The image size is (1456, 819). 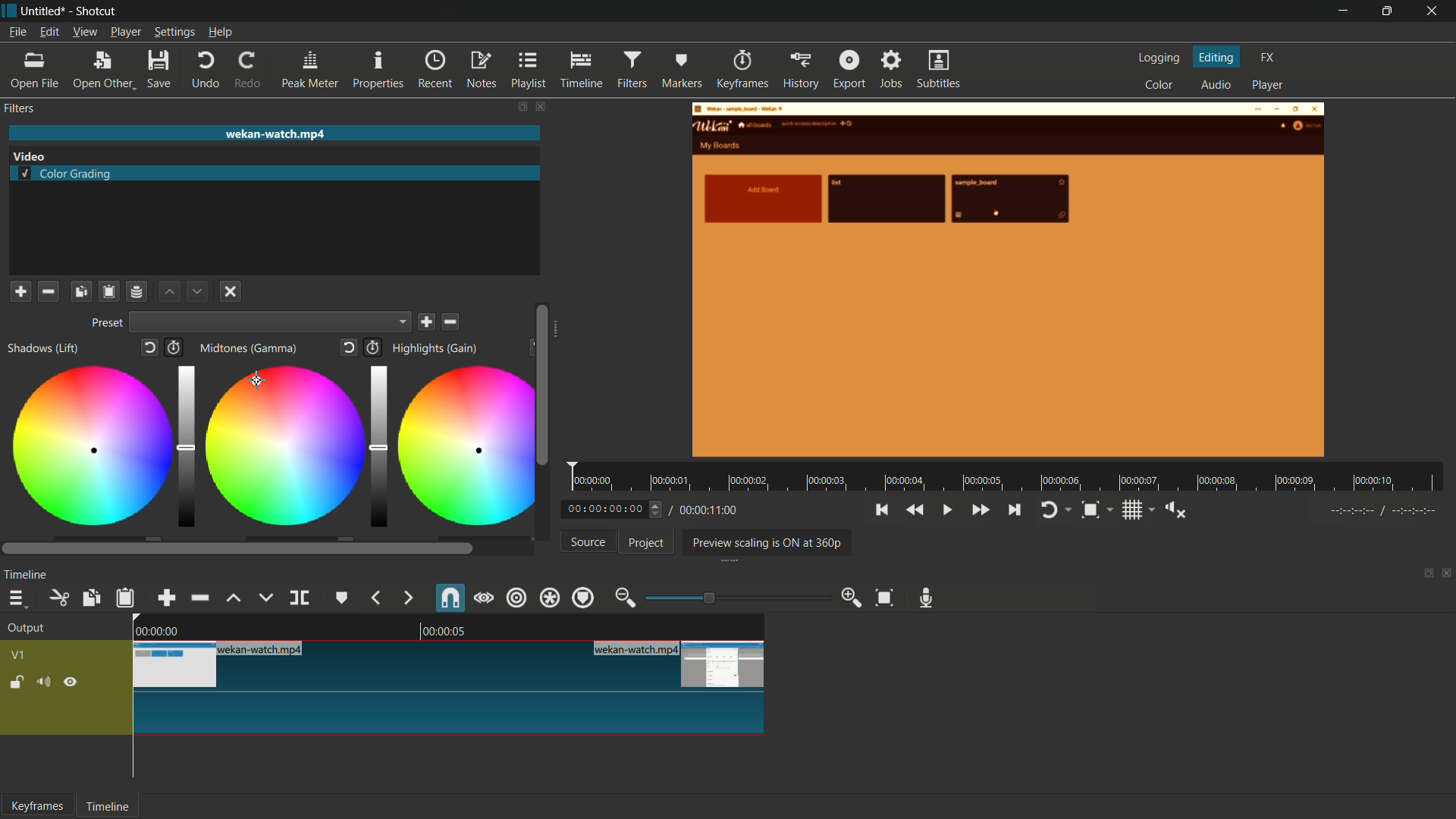 What do you see at coordinates (457, 632) in the screenshot?
I see `00.00.05` at bounding box center [457, 632].